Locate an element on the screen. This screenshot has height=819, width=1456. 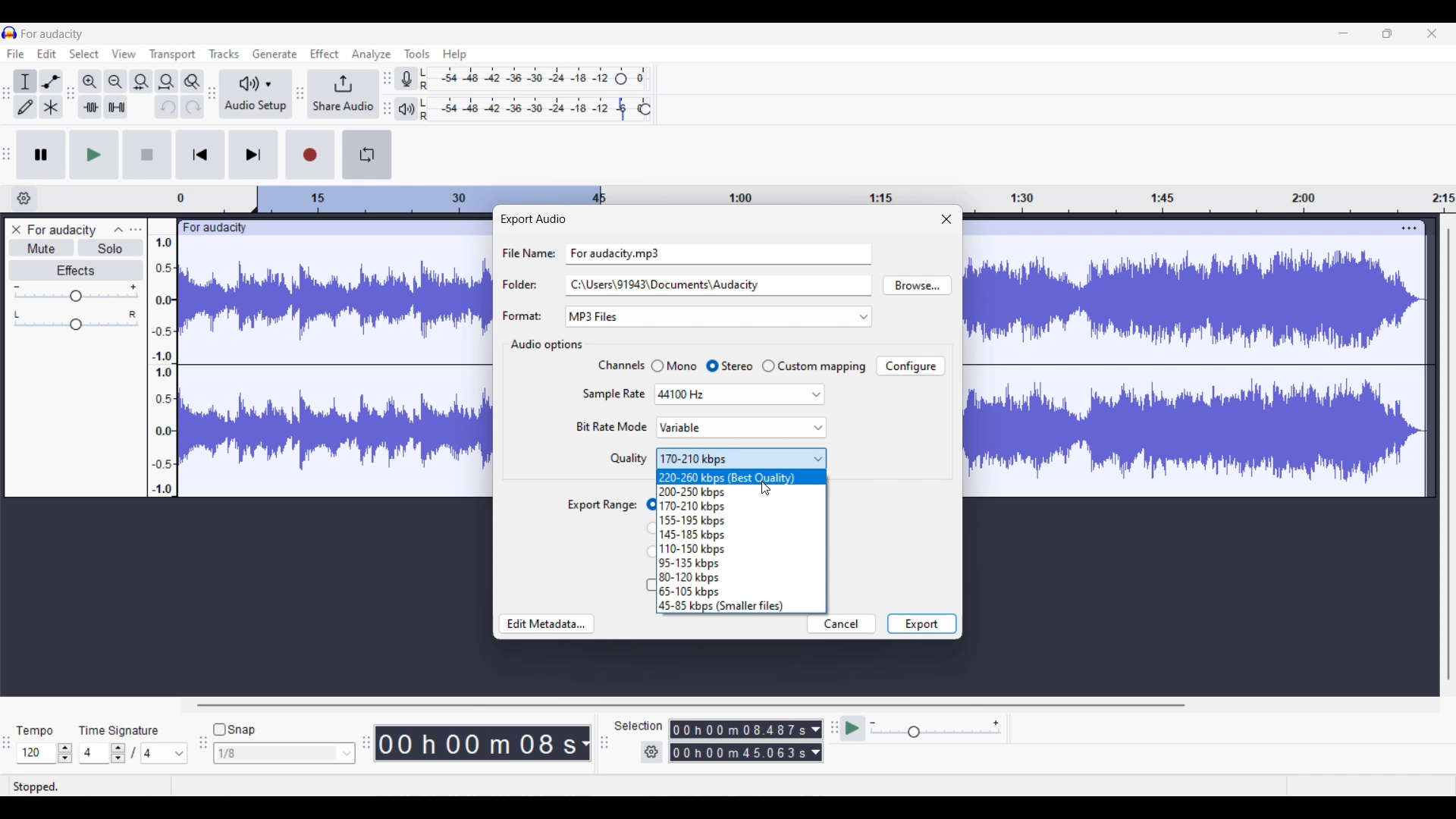
Close track is located at coordinates (17, 229).